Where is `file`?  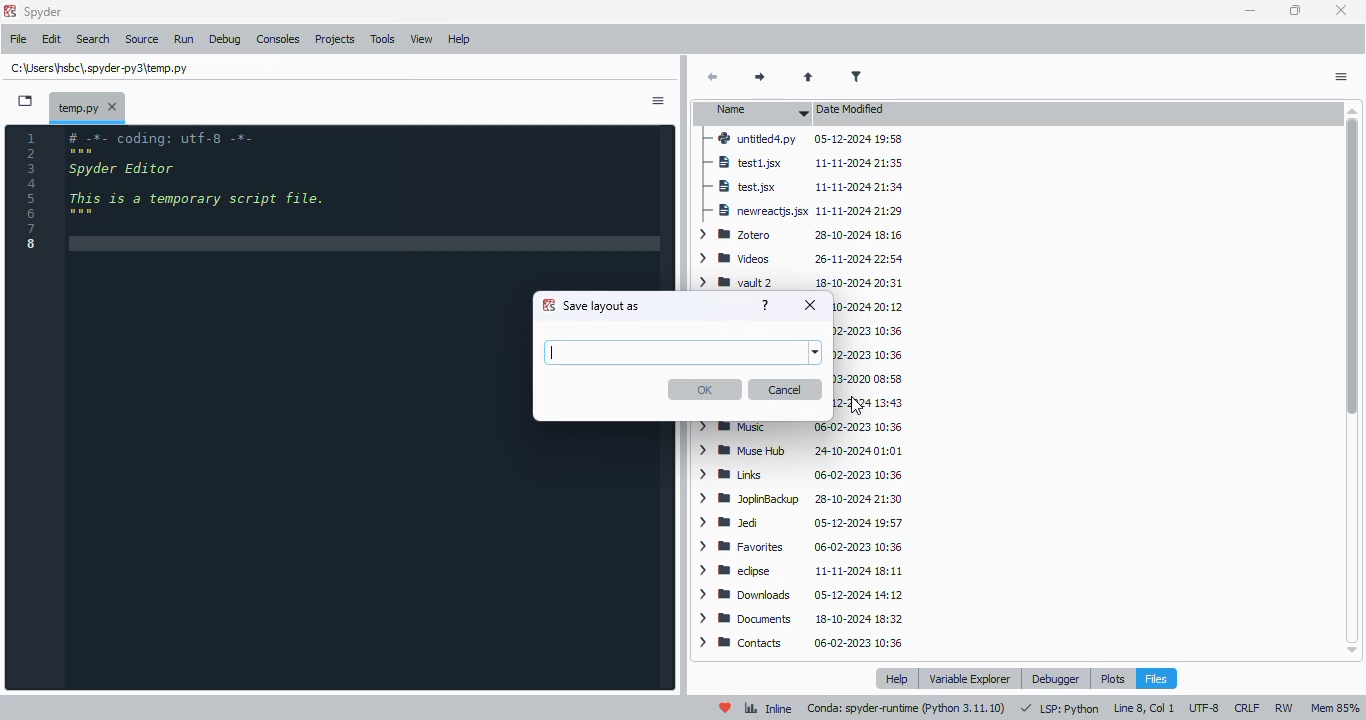
file is located at coordinates (20, 40).